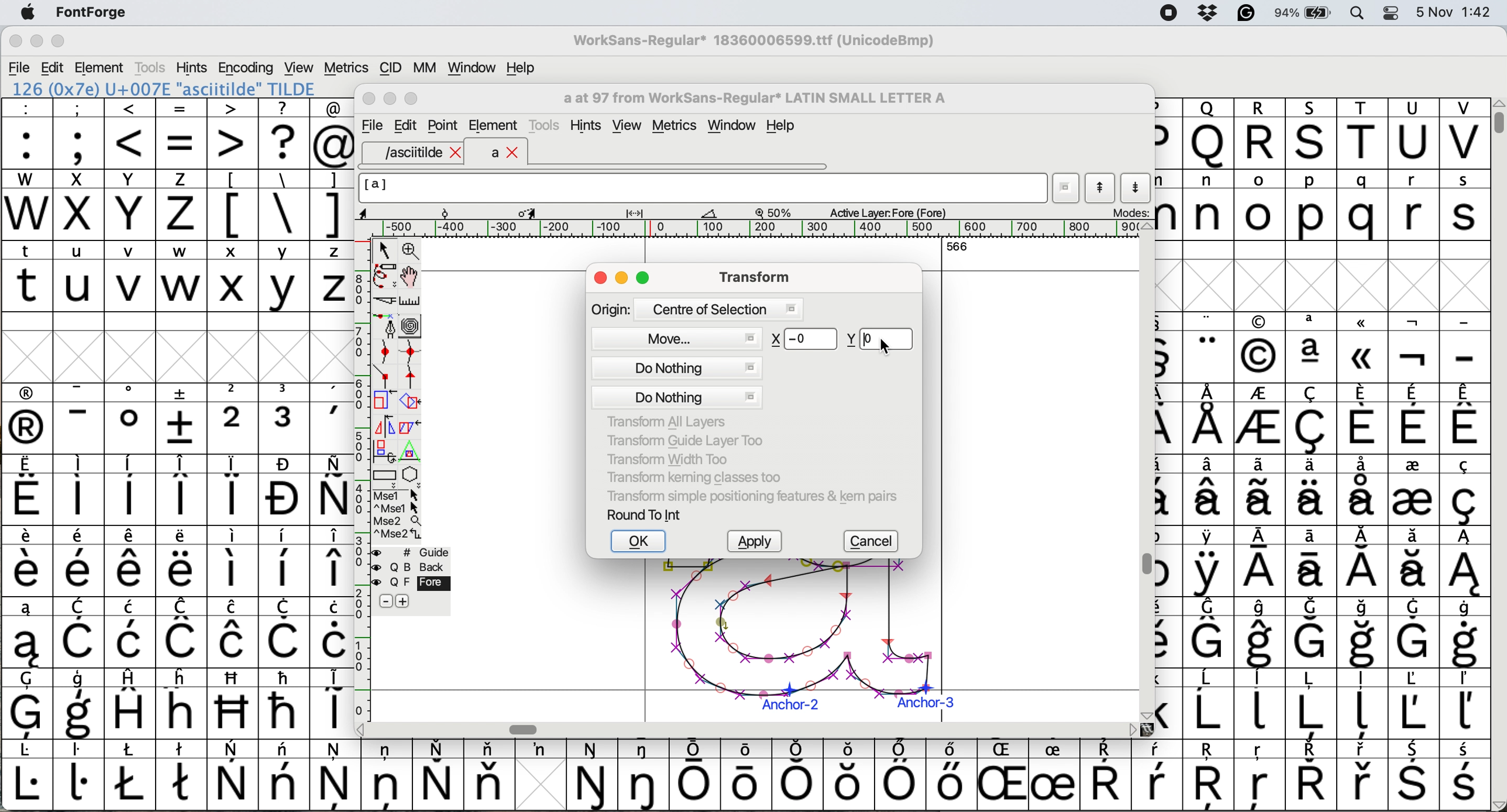  Describe the element at coordinates (1261, 702) in the screenshot. I see `symbol` at that location.